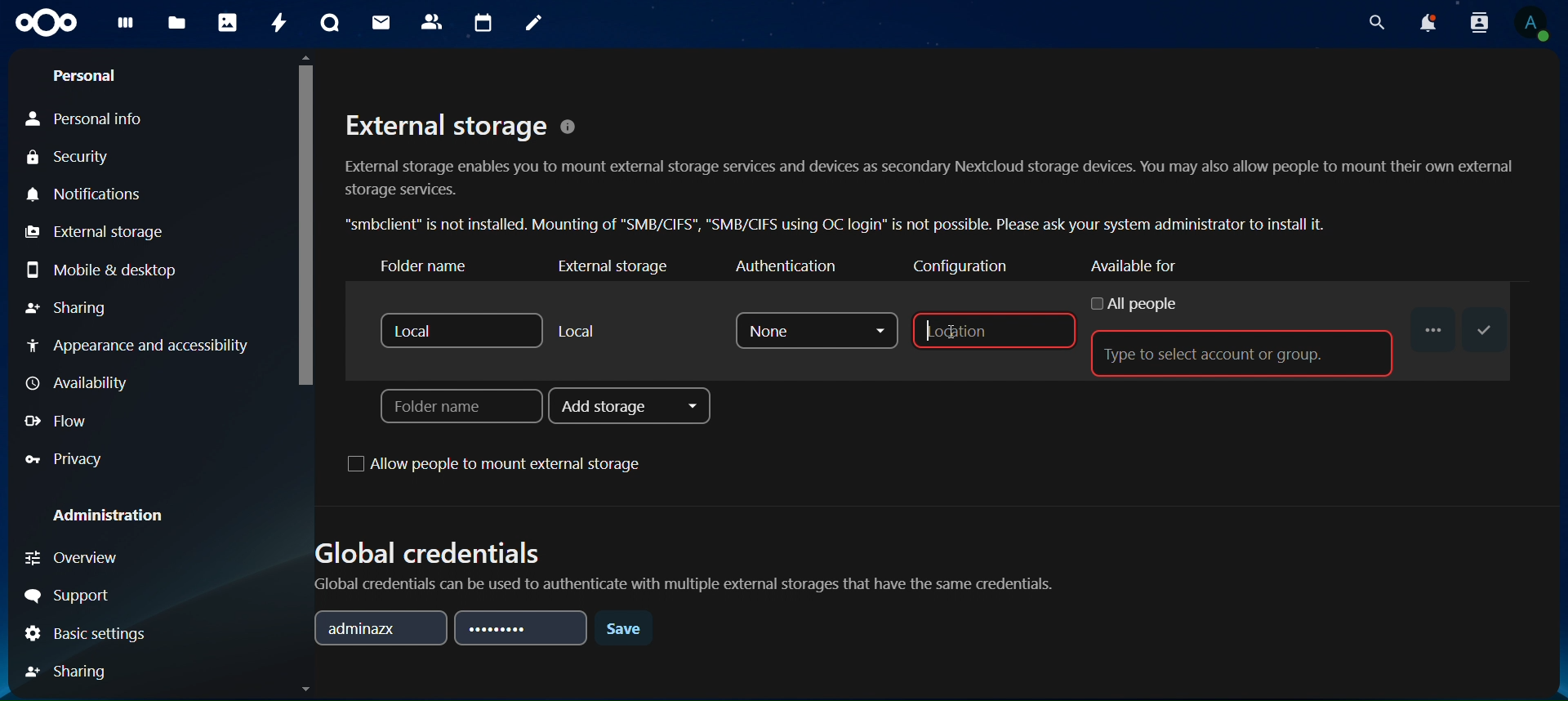 The height and width of the screenshot is (701, 1568). What do you see at coordinates (332, 23) in the screenshot?
I see `talk` at bounding box center [332, 23].